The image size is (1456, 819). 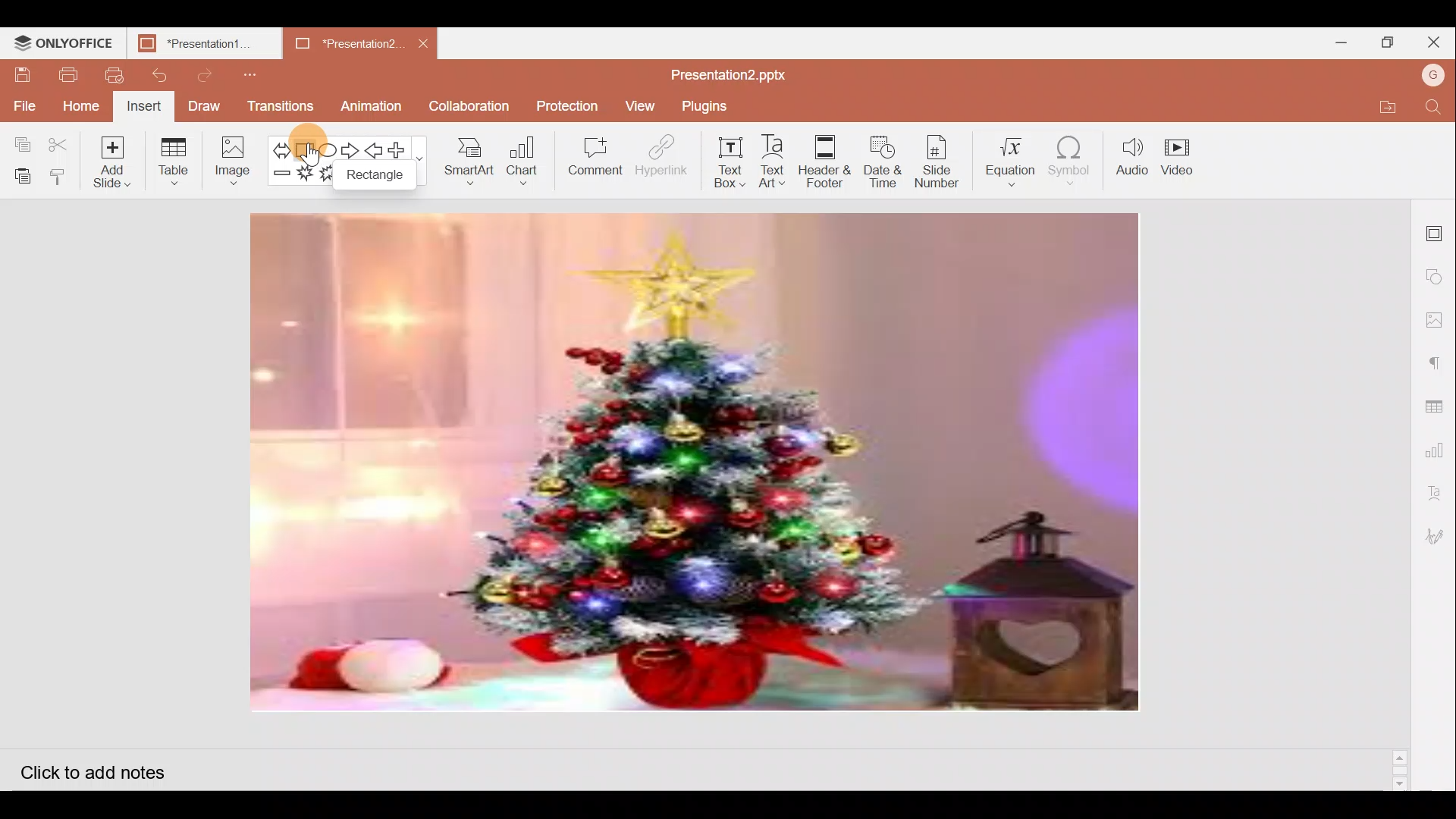 What do you see at coordinates (1435, 73) in the screenshot?
I see `Account name` at bounding box center [1435, 73].